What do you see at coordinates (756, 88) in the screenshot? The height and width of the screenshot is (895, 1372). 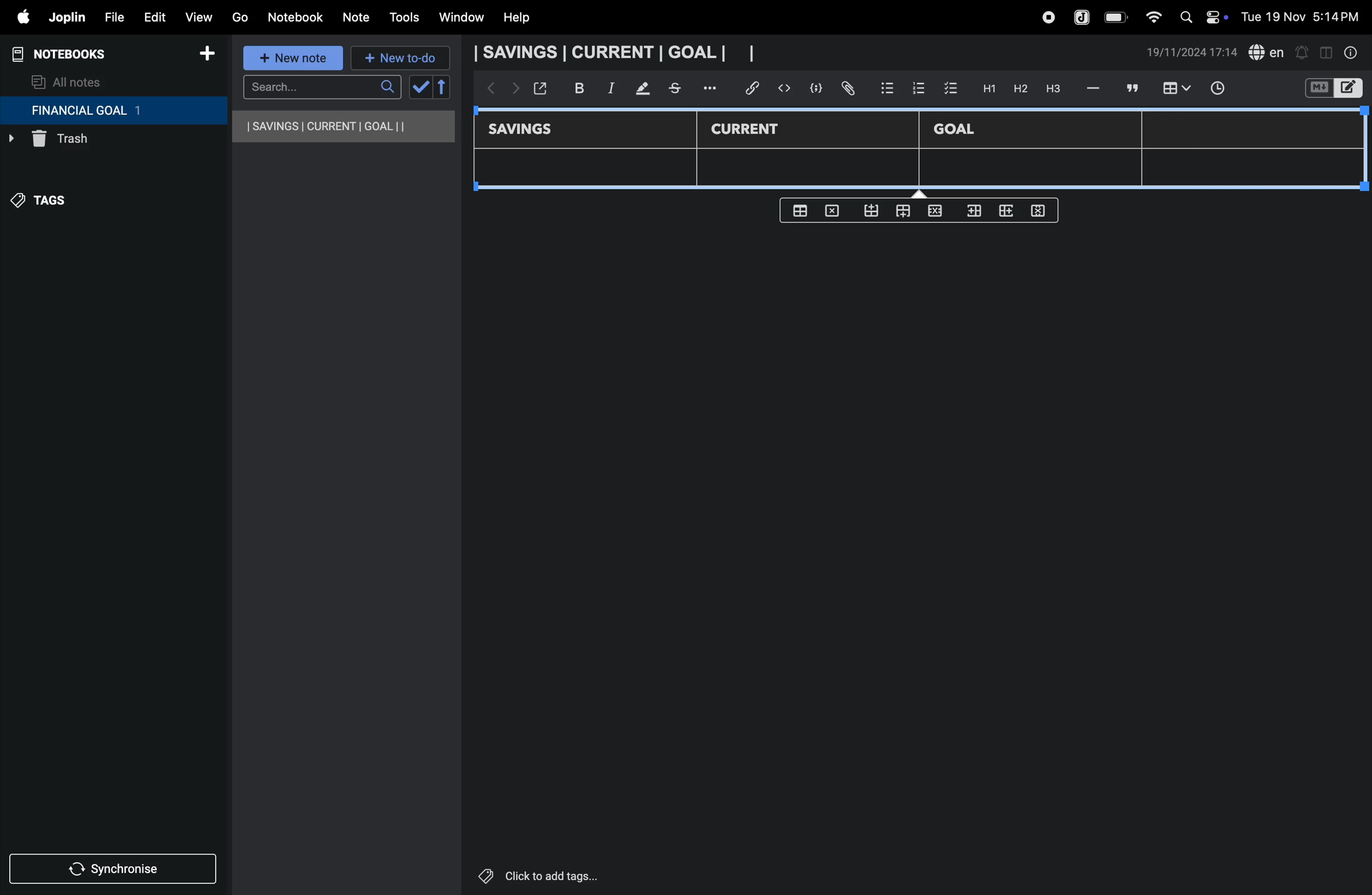 I see `hyper link` at bounding box center [756, 88].